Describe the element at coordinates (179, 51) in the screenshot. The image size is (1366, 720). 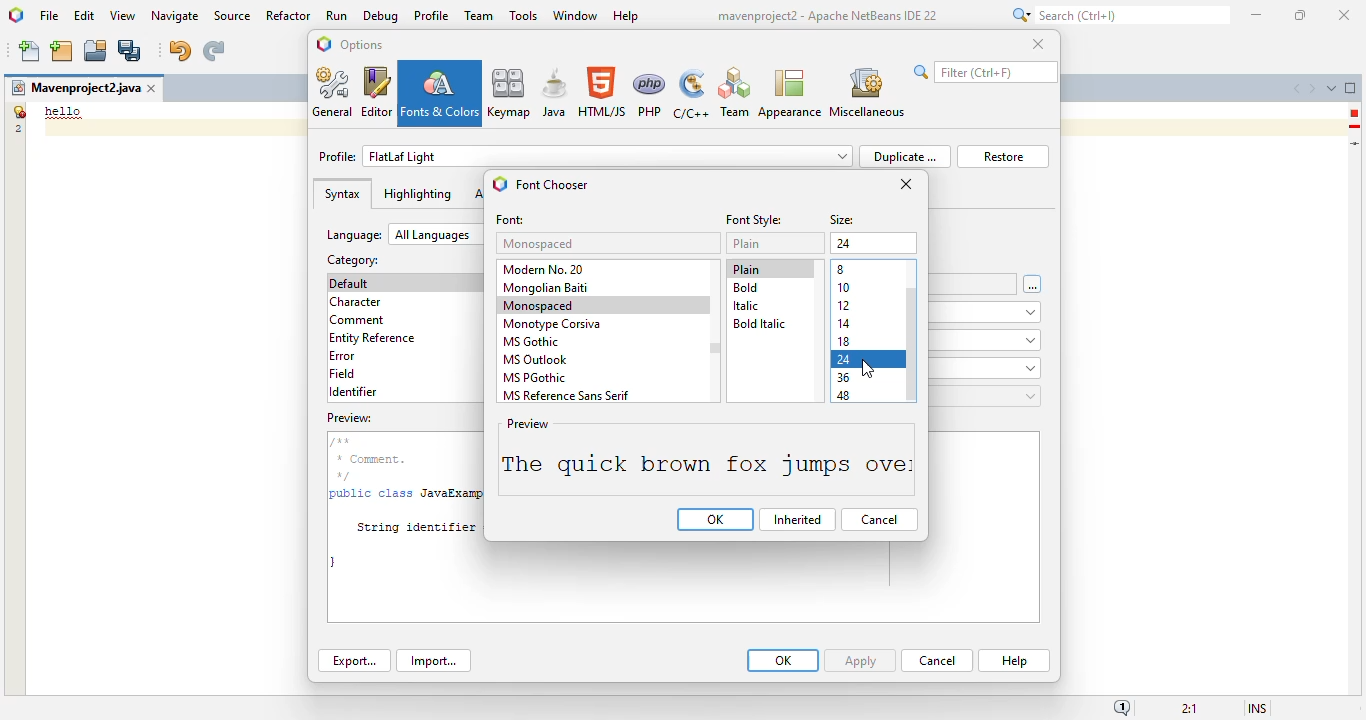
I see `undo` at that location.